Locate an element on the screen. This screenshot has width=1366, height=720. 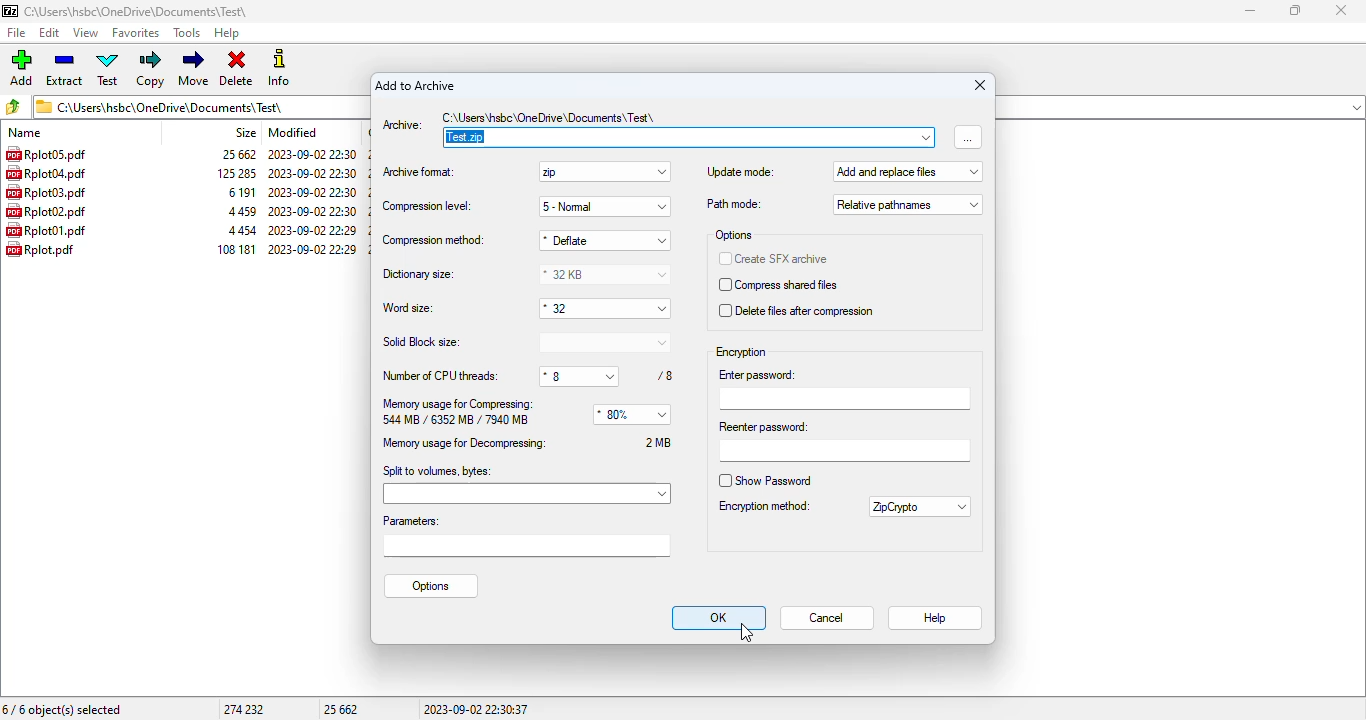
modified date & time is located at coordinates (313, 230).